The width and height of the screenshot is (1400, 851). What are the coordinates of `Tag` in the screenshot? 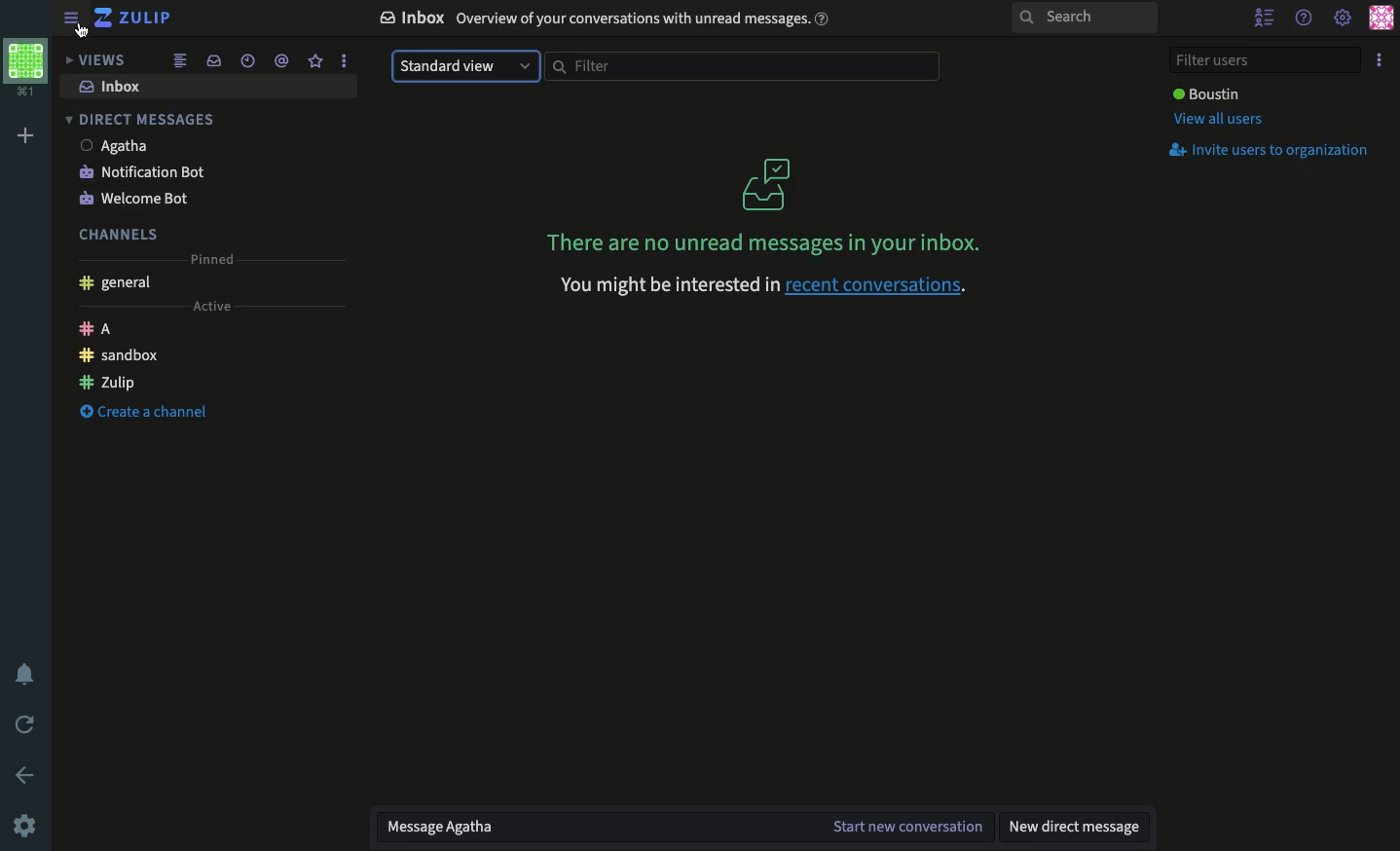 It's located at (282, 61).